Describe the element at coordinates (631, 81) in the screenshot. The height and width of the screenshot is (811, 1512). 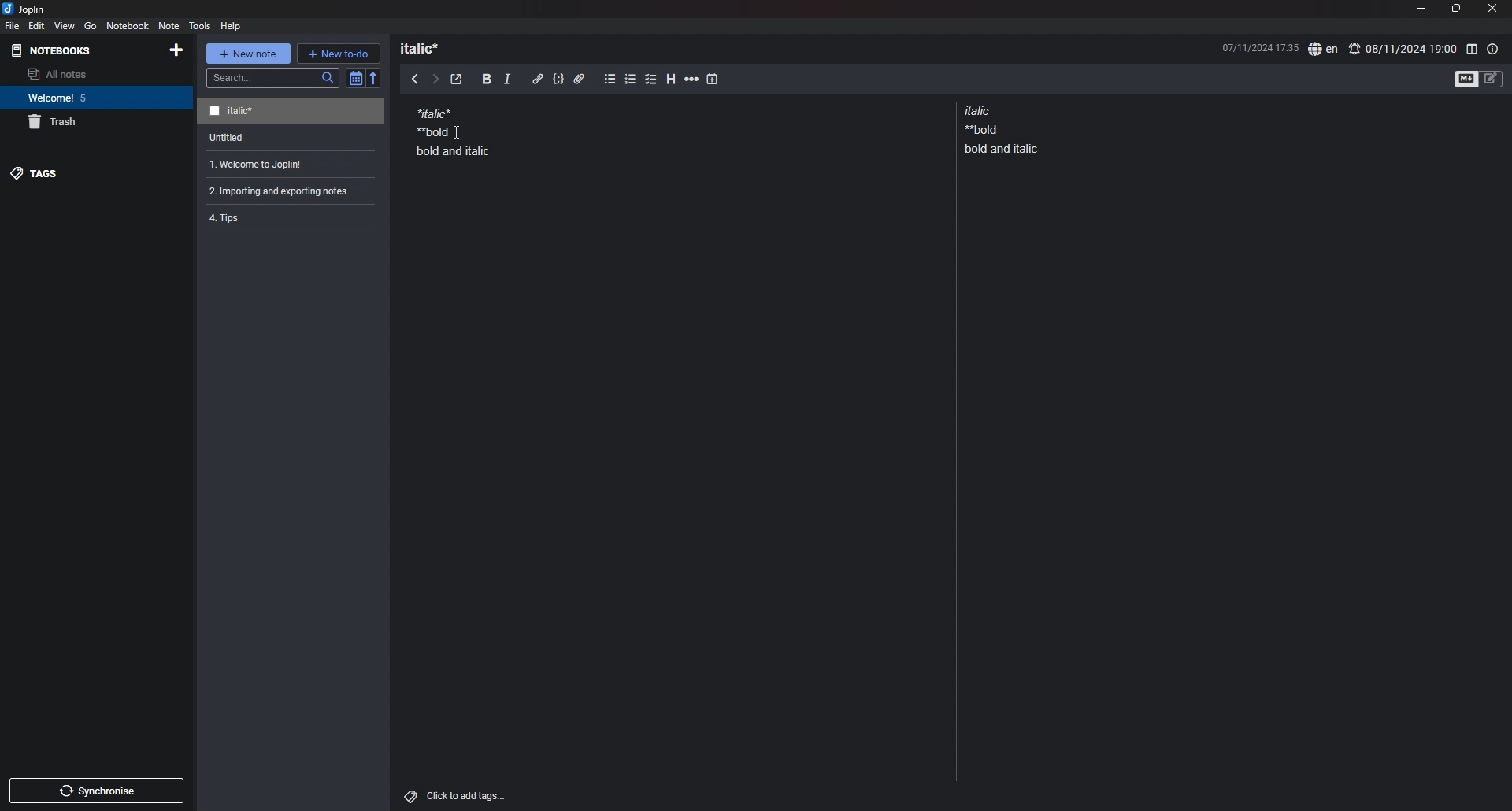
I see `numbered list` at that location.